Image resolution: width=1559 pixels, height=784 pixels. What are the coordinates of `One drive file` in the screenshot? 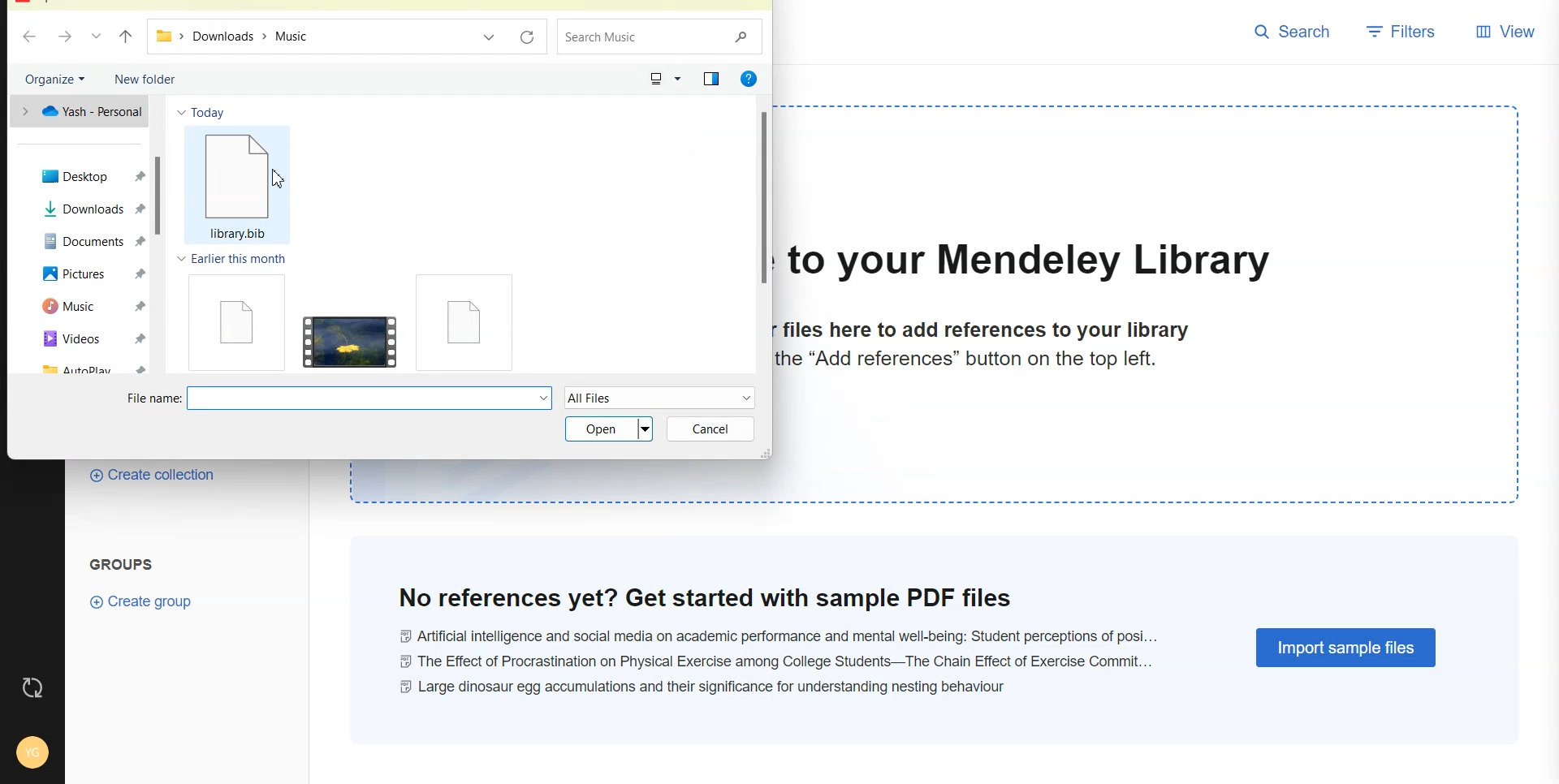 It's located at (74, 112).